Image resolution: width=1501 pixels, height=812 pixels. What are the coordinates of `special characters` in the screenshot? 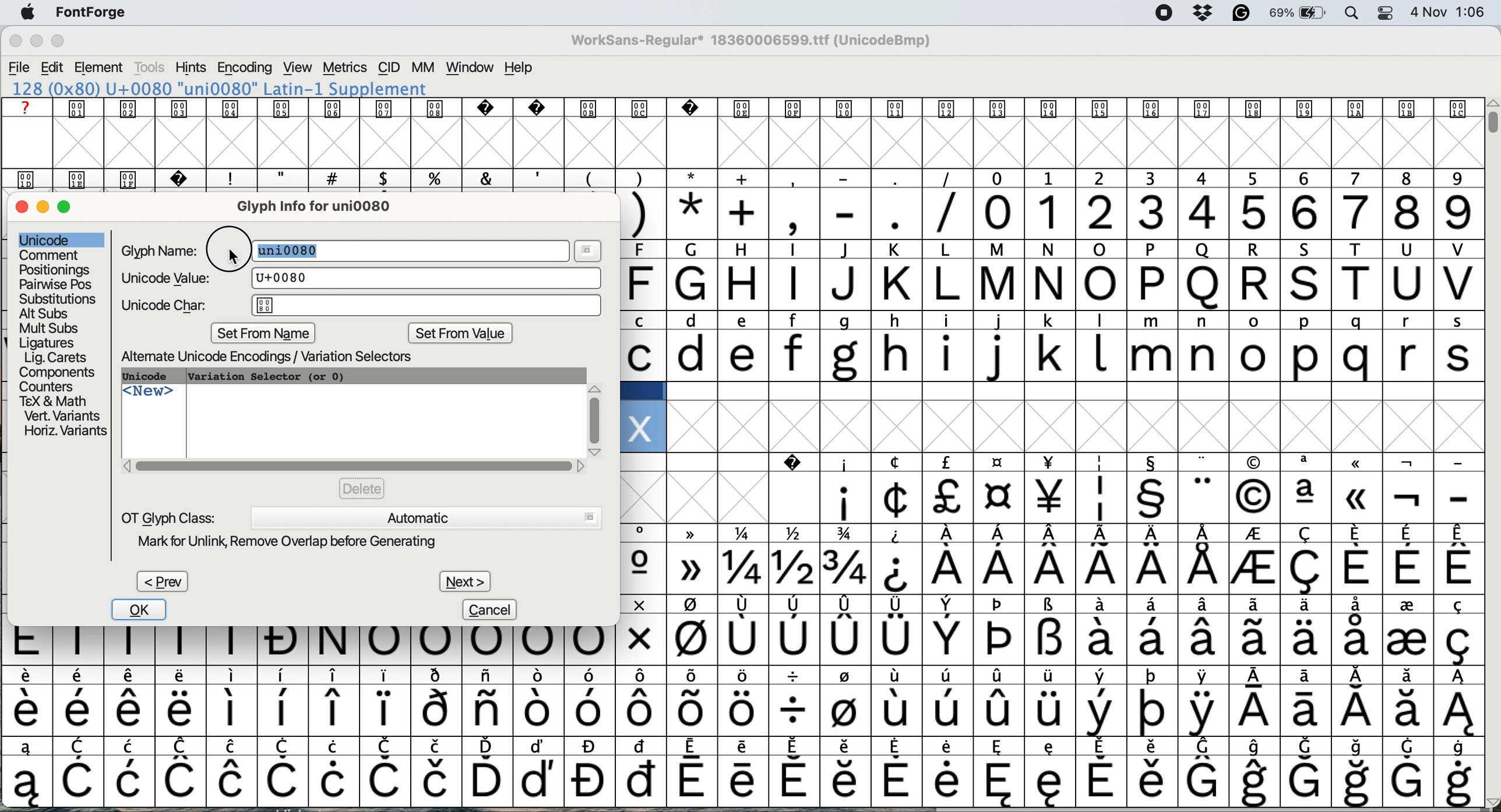 It's located at (742, 676).